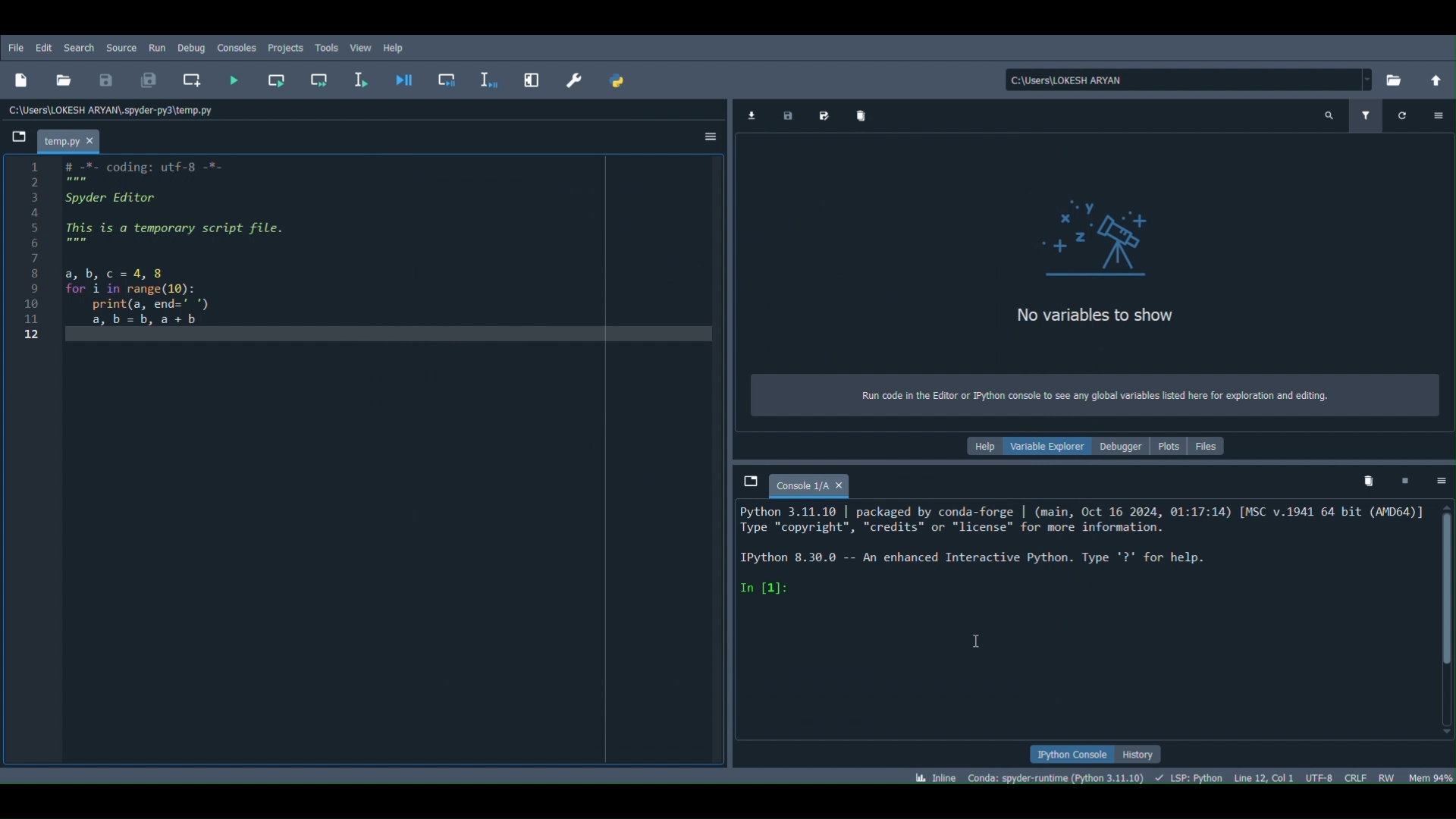  What do you see at coordinates (1400, 76) in the screenshot?
I see `Browse a working directory` at bounding box center [1400, 76].